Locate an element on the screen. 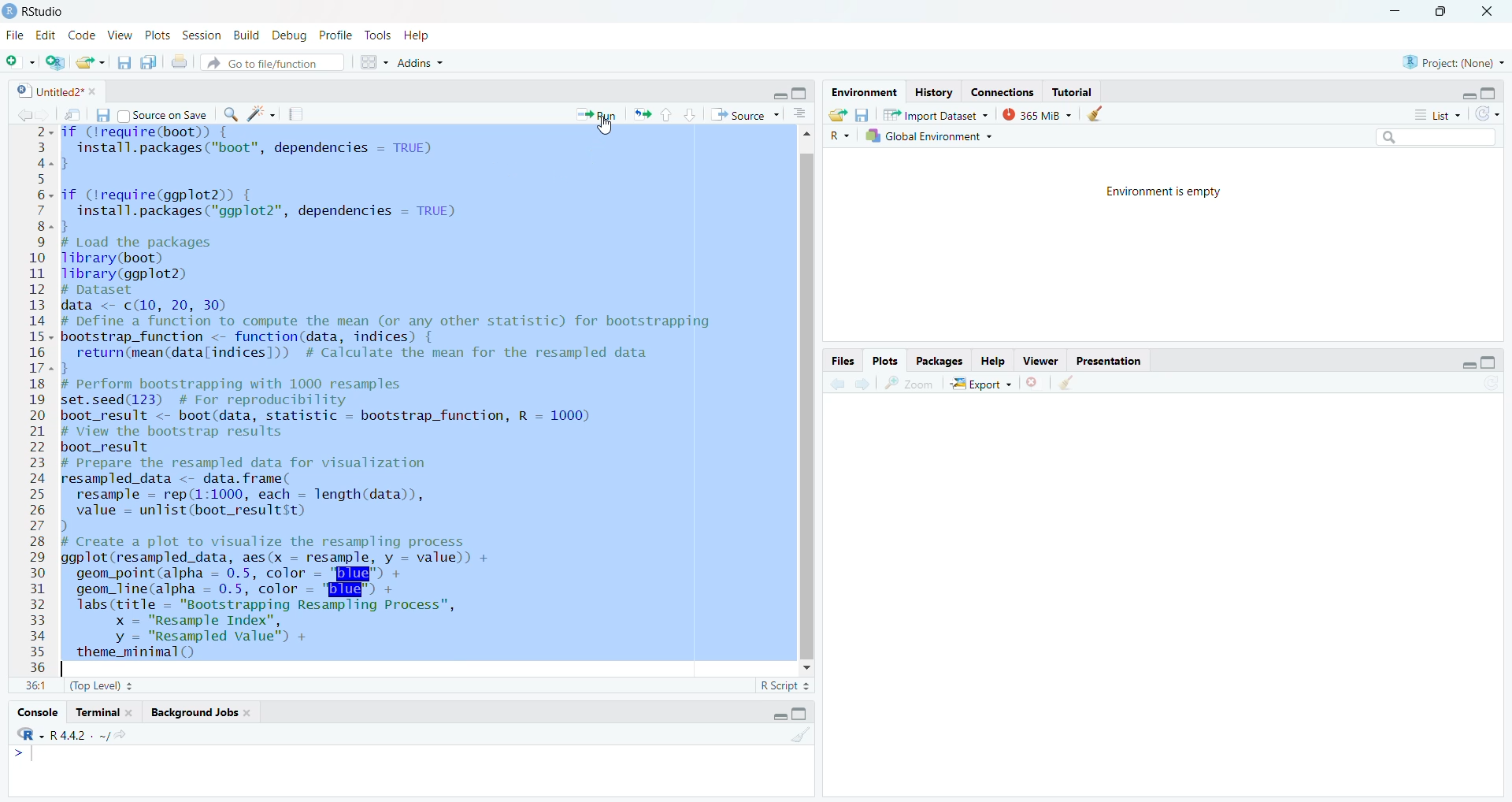 The image size is (1512, 802). code is located at coordinates (83, 36).